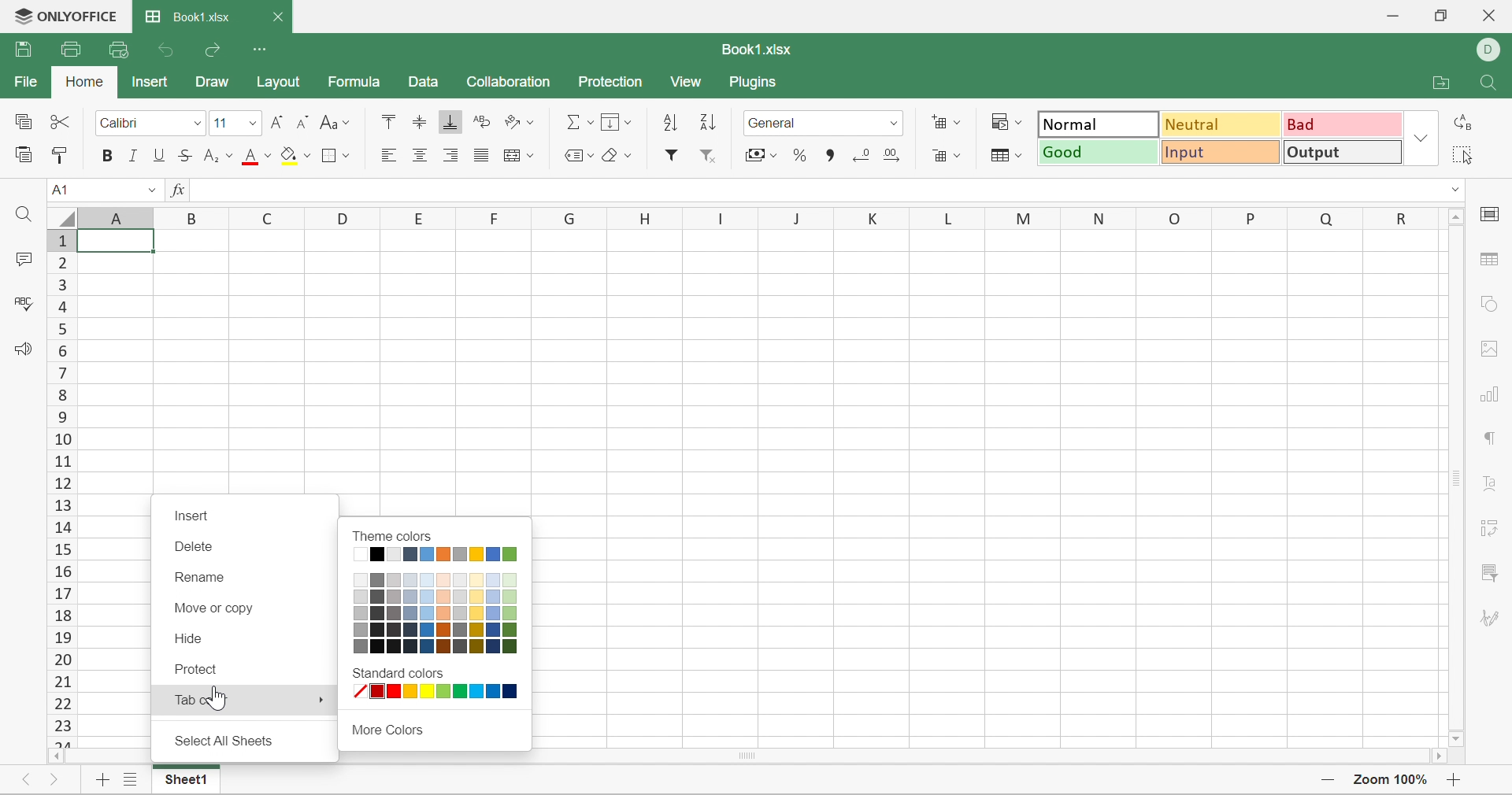  Describe the element at coordinates (211, 608) in the screenshot. I see `Move or copy` at that location.